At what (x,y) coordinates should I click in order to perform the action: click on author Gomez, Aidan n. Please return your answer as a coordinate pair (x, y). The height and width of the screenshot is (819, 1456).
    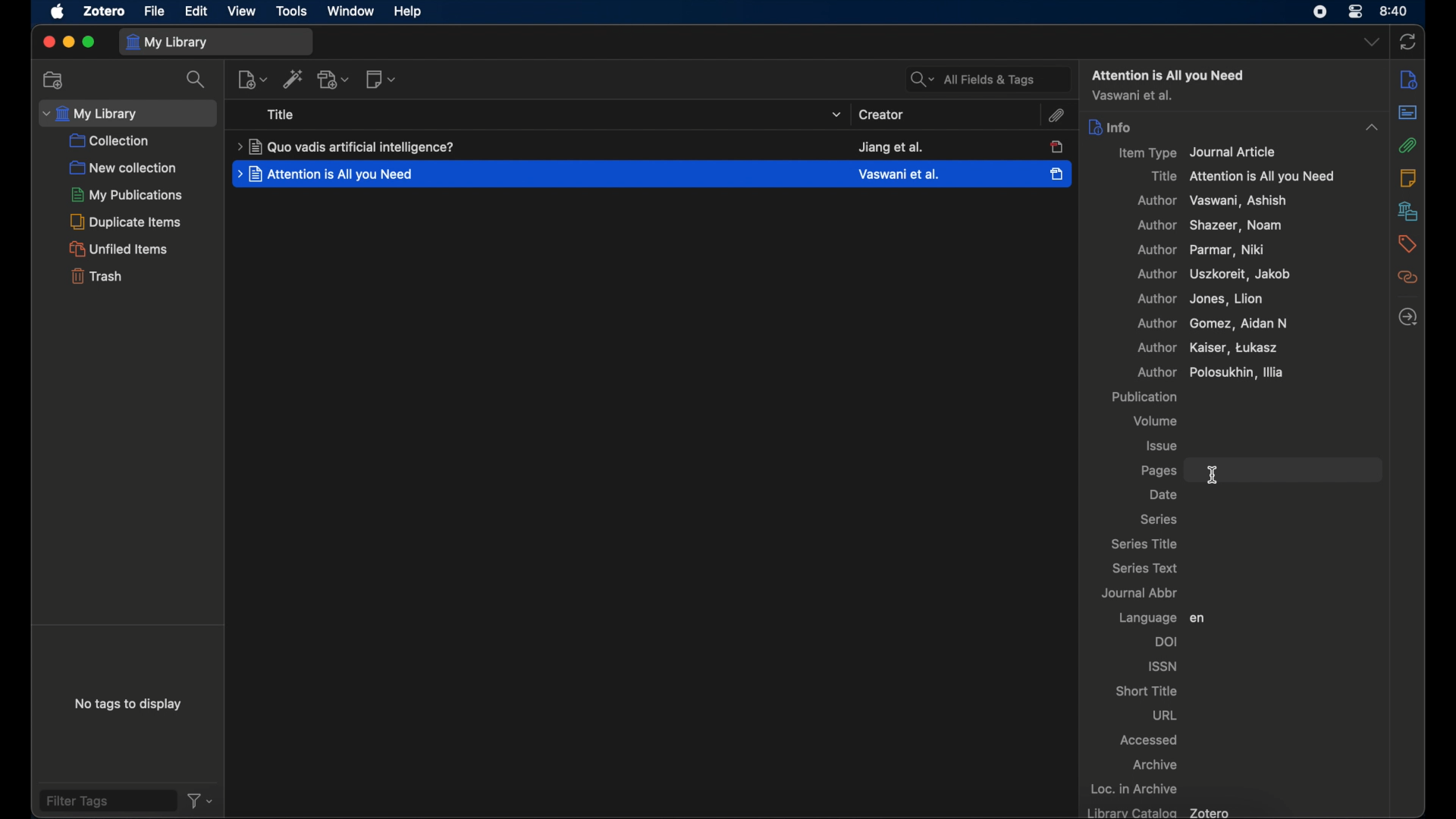
    Looking at the image, I should click on (1211, 324).